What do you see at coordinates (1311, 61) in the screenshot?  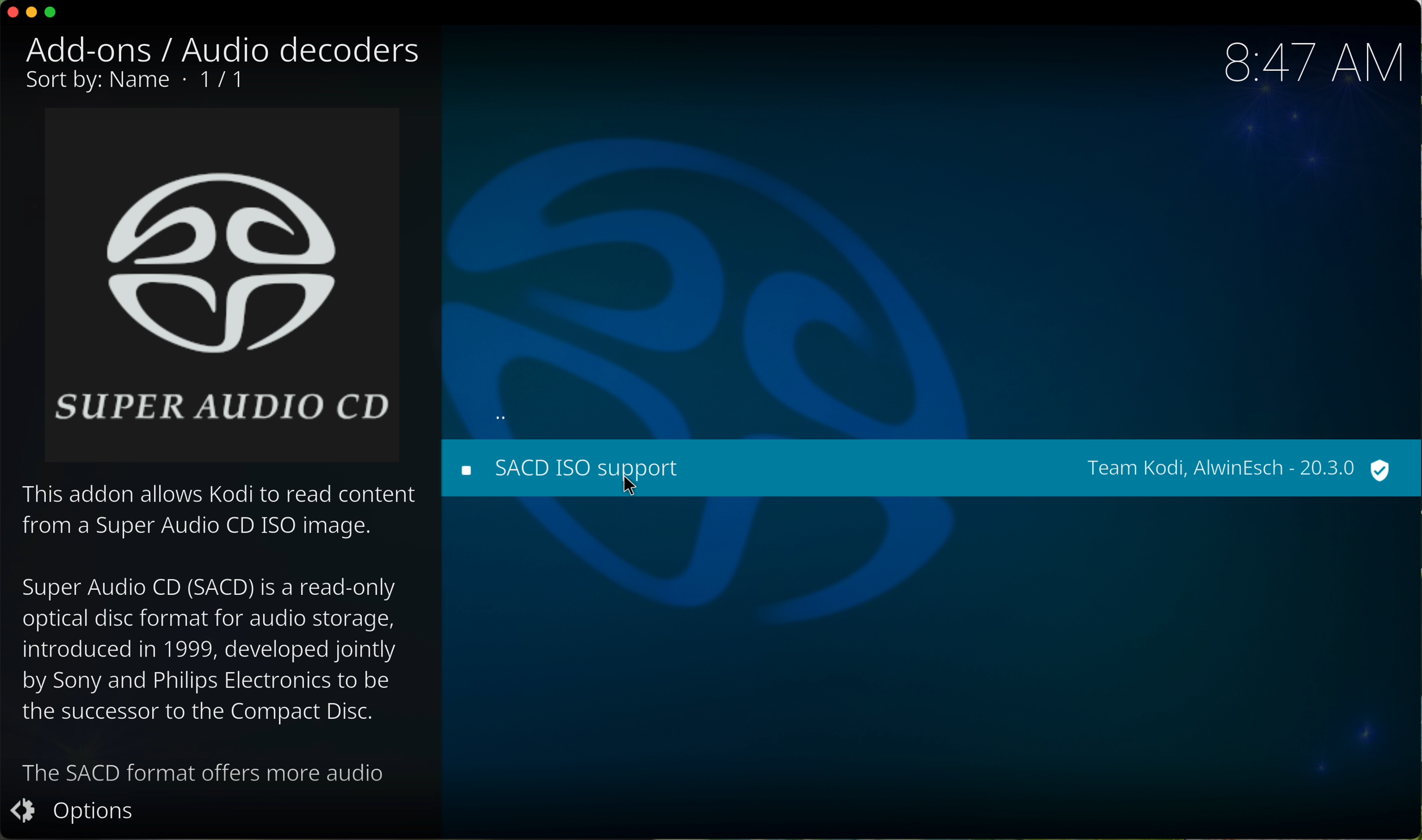 I see `hour` at bounding box center [1311, 61].